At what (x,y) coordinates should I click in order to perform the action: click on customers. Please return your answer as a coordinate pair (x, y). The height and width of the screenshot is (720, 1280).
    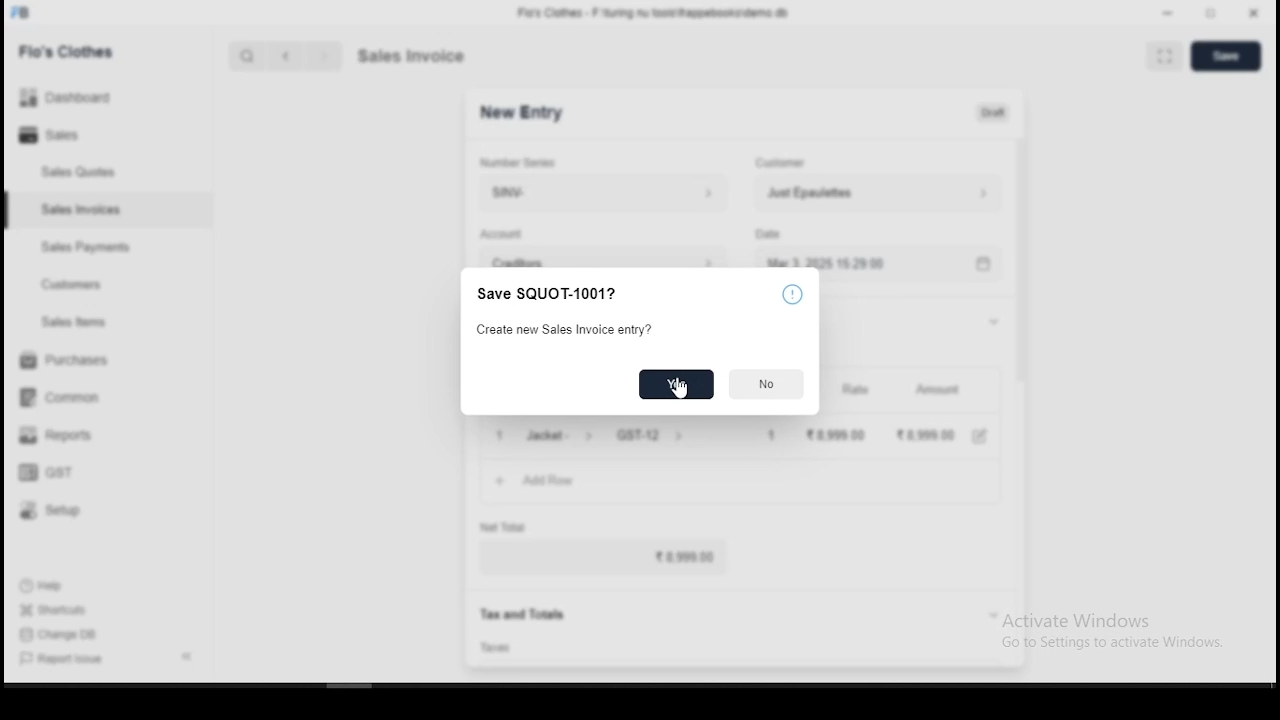
    Looking at the image, I should click on (75, 285).